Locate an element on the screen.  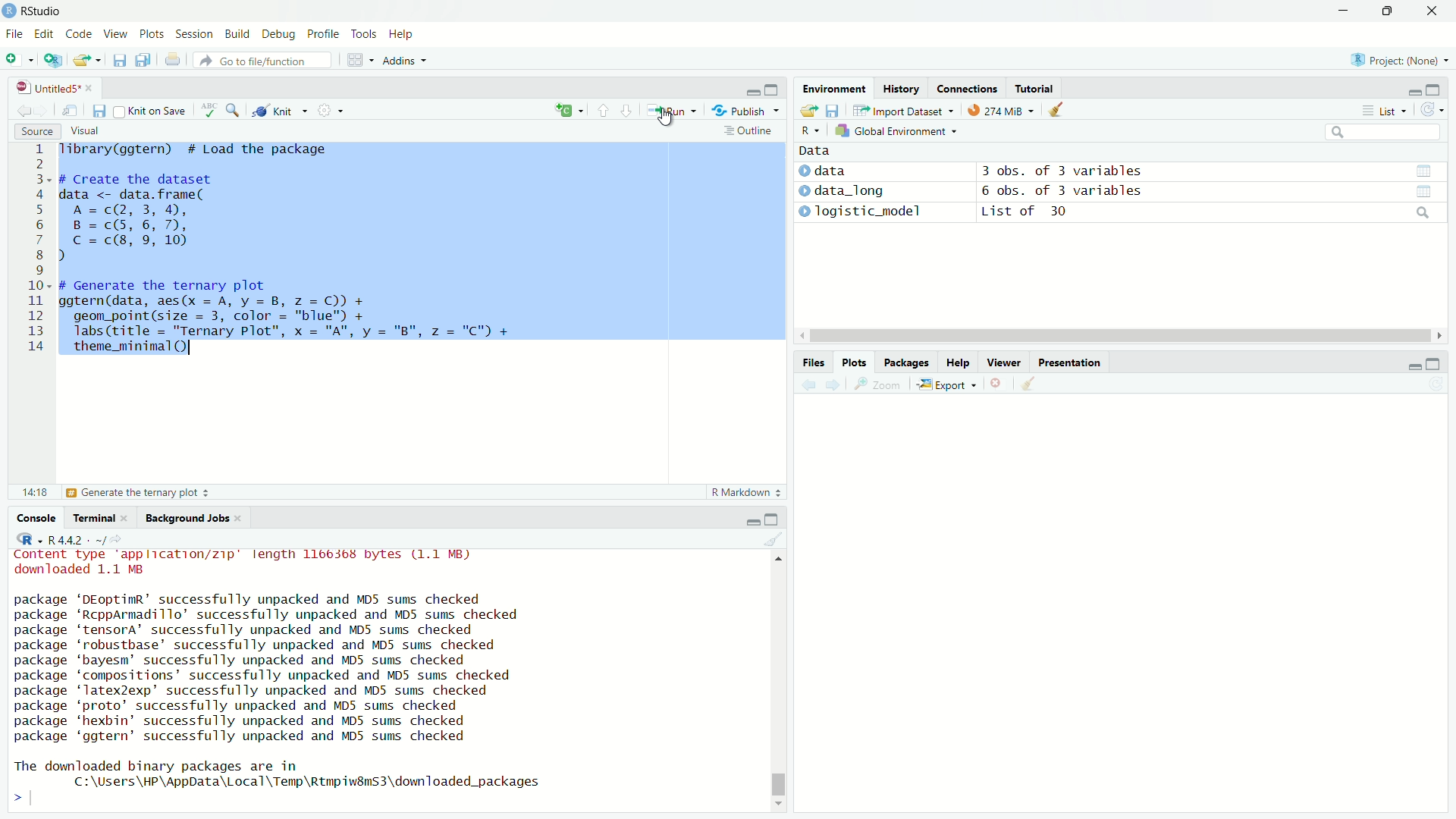
clear is located at coordinates (773, 541).